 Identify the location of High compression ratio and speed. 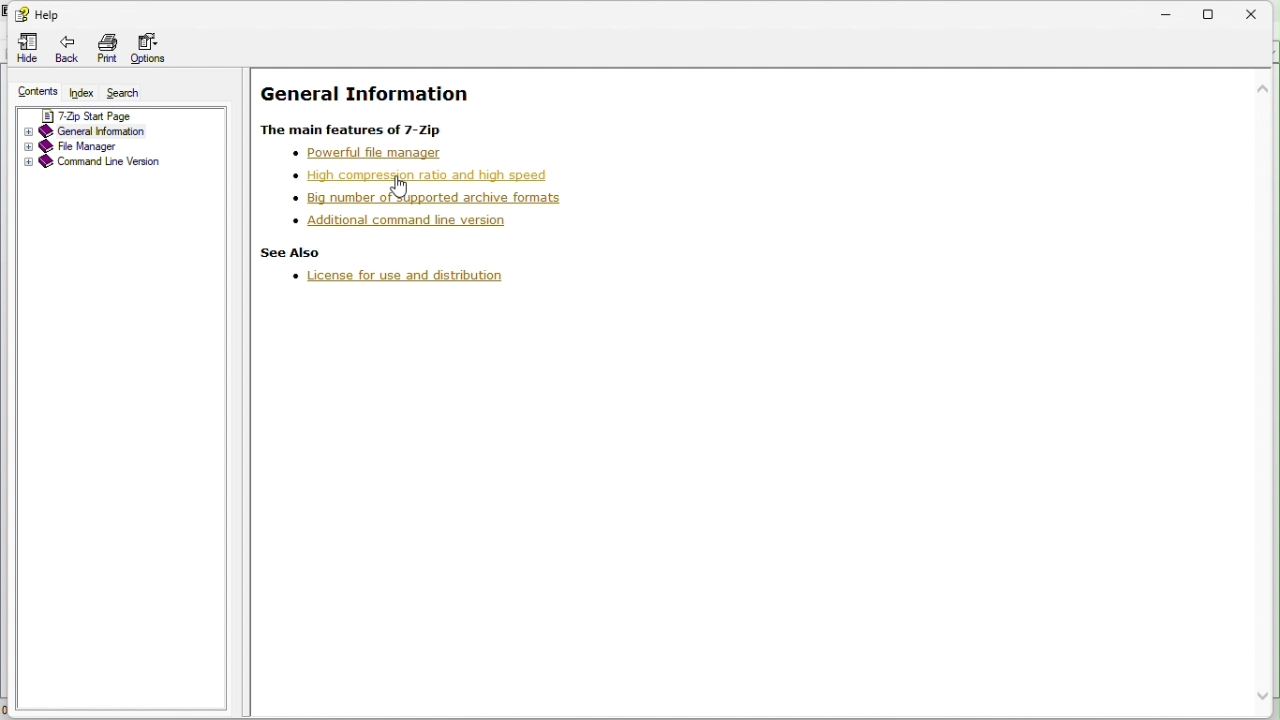
(404, 175).